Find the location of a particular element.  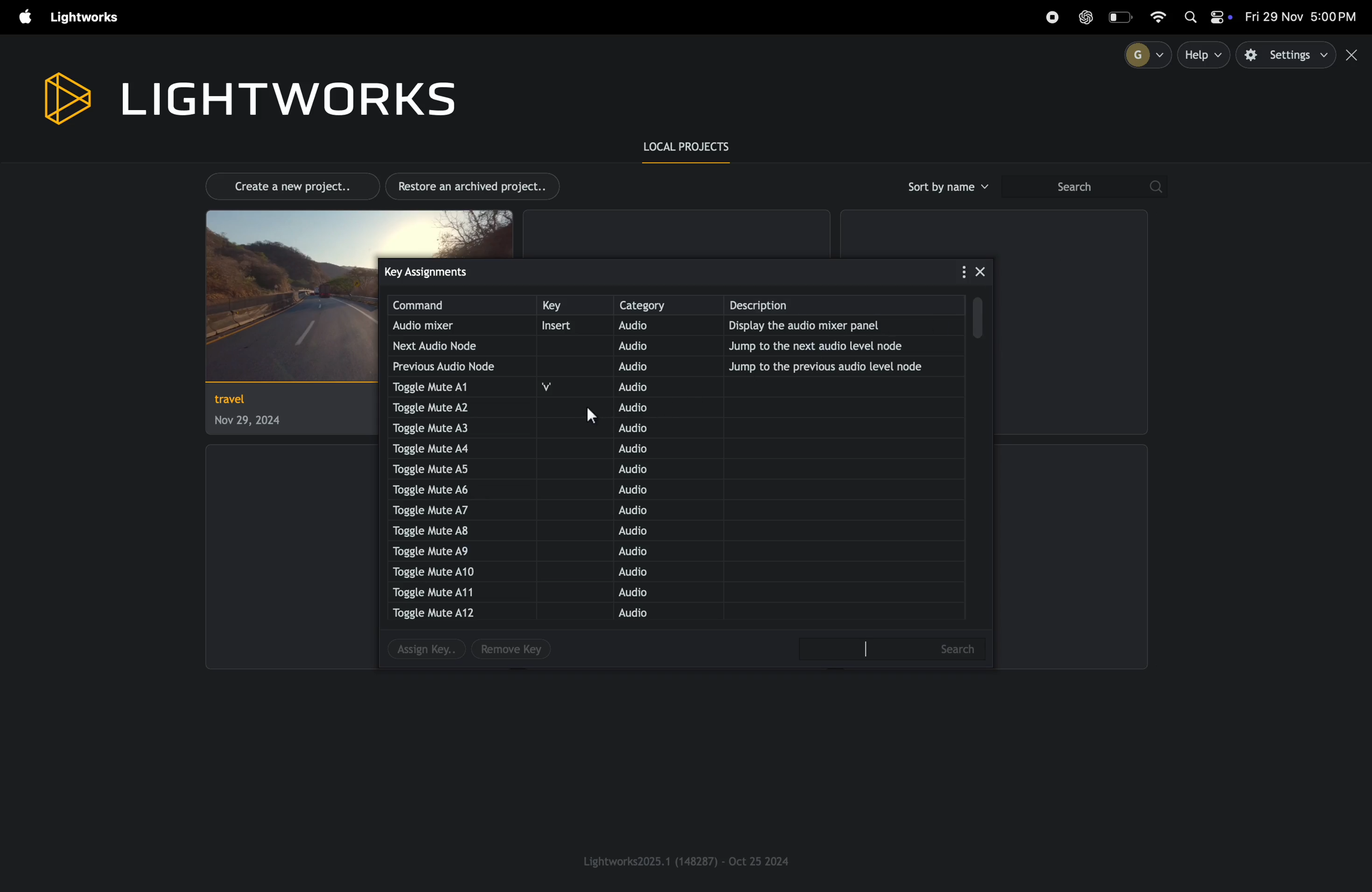

toggle mute A8 is located at coordinates (446, 531).